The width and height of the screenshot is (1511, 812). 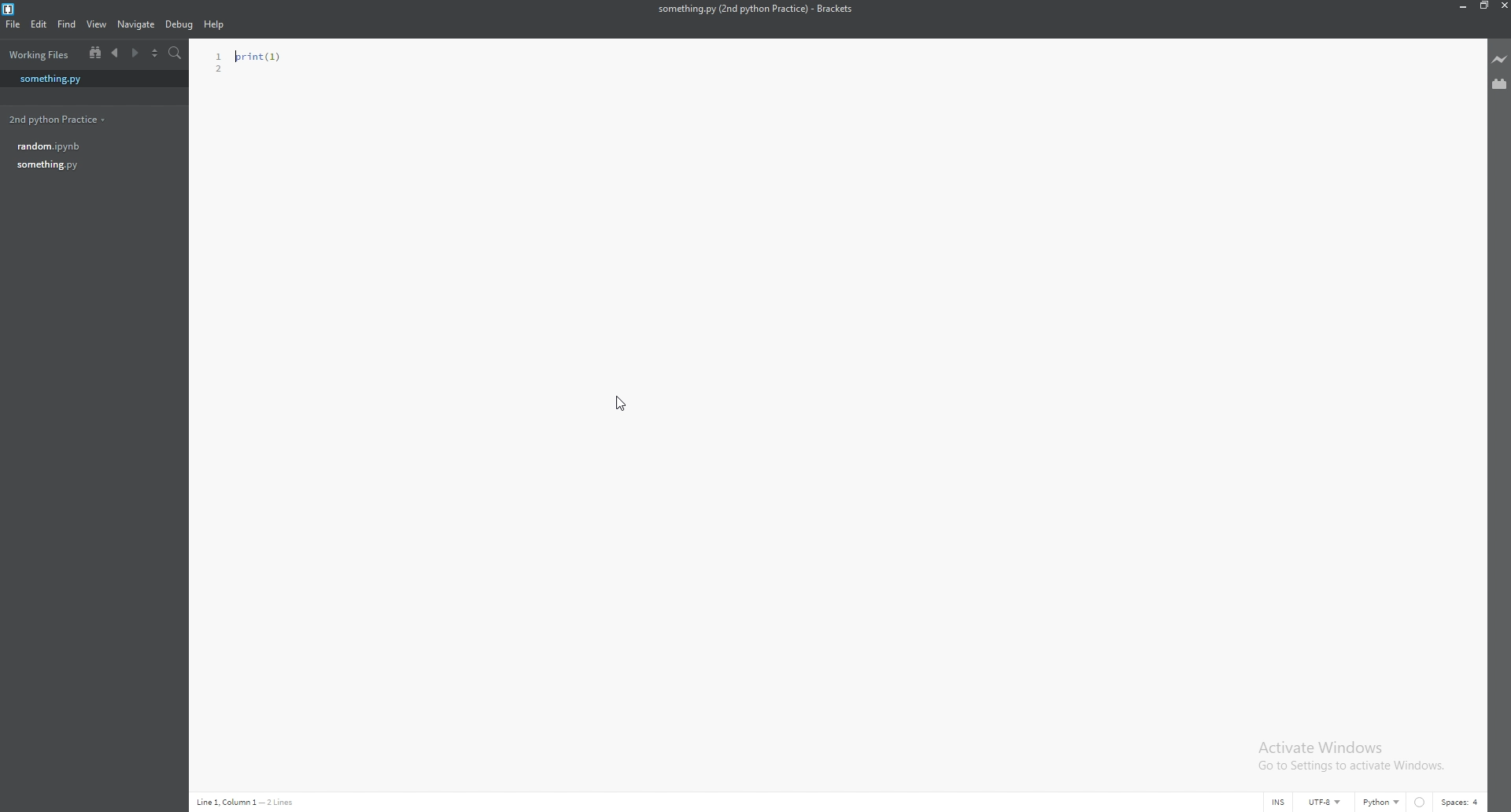 I want to click on 2nd python practice, so click(x=55, y=120).